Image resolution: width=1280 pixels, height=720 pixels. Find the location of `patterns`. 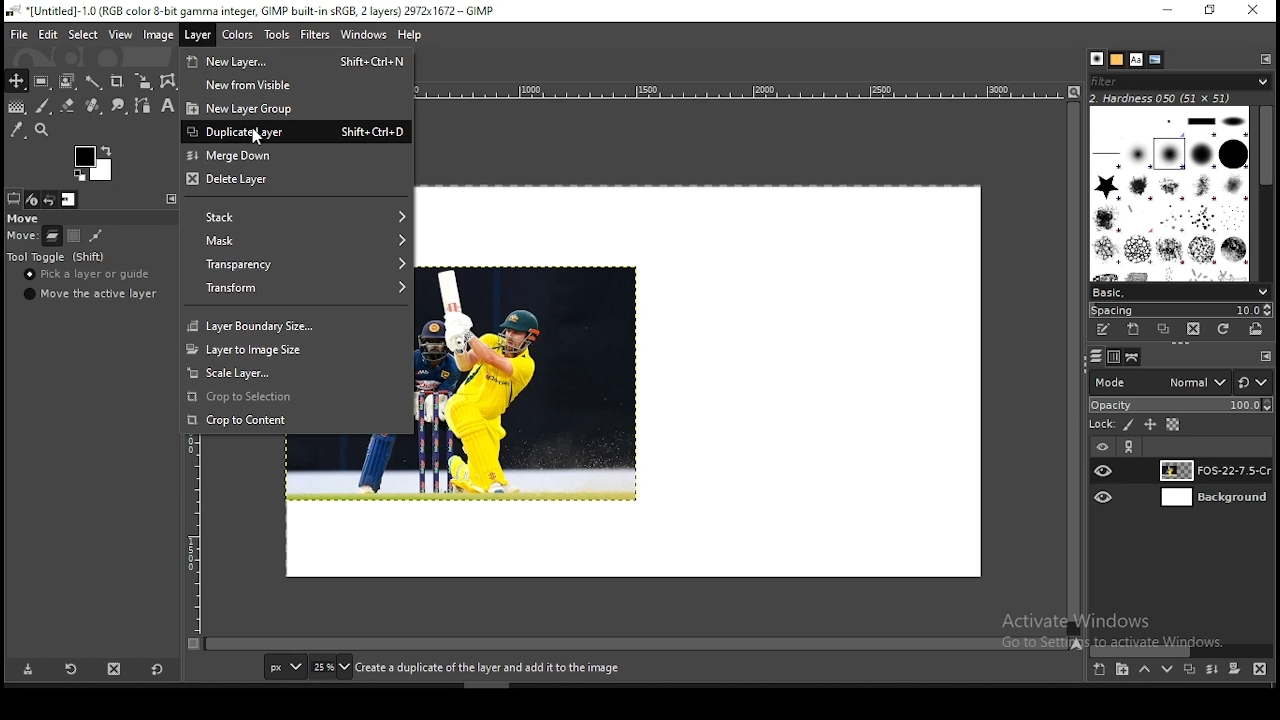

patterns is located at coordinates (1117, 59).